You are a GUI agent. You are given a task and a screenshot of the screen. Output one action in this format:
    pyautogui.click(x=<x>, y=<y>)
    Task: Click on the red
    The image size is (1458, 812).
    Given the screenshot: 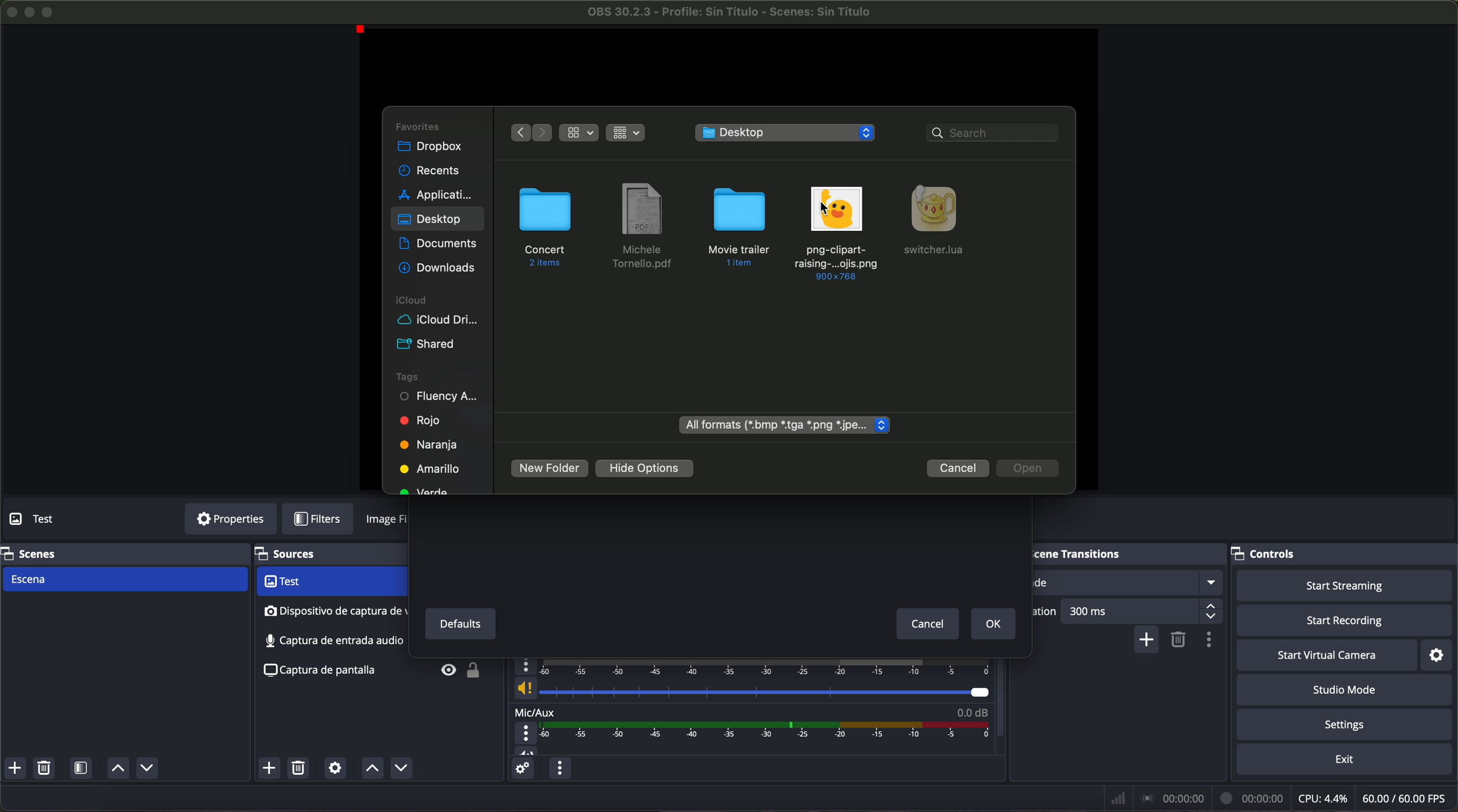 What is the action you would take?
    pyautogui.click(x=418, y=421)
    